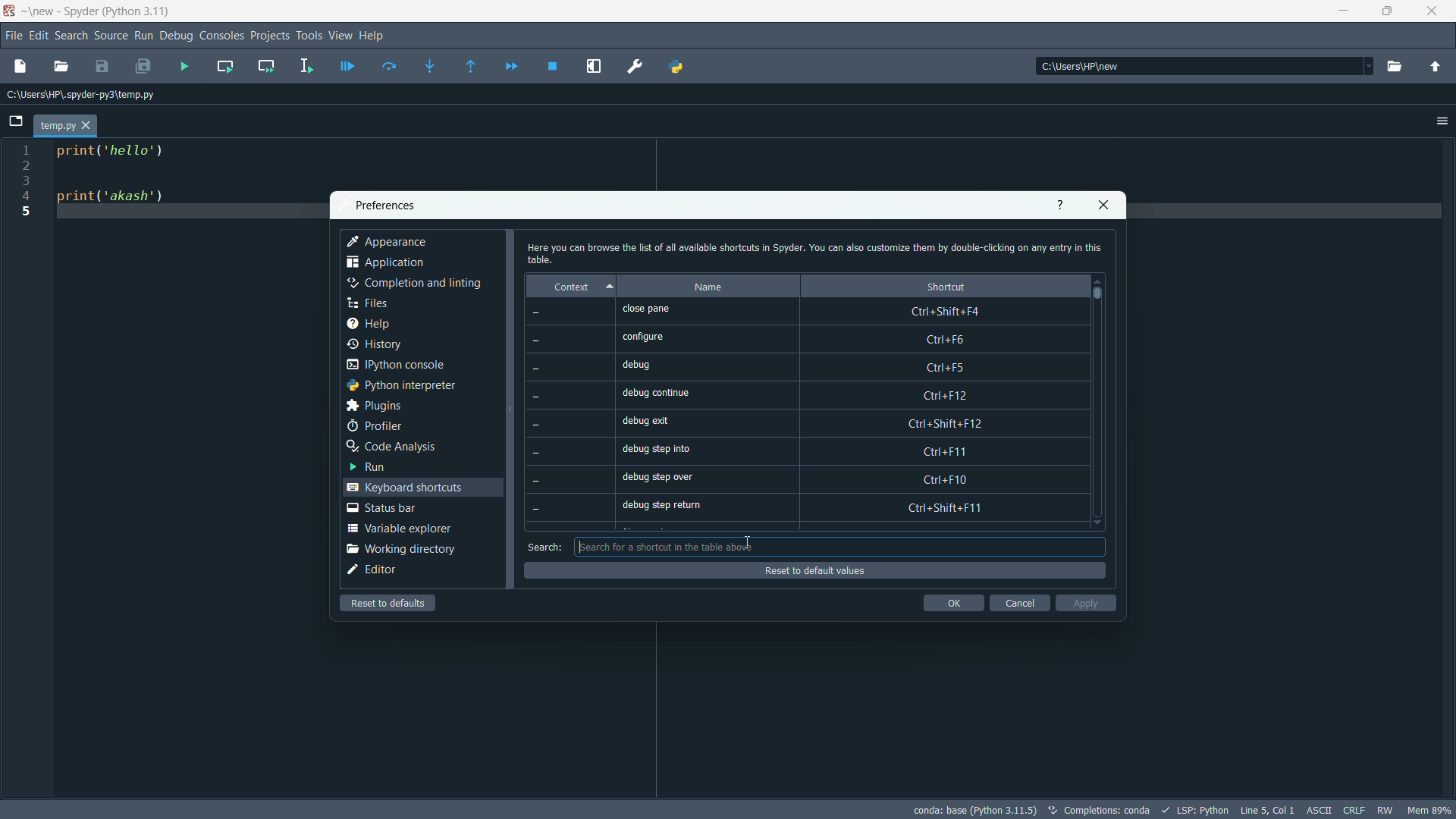 The height and width of the screenshot is (819, 1456). What do you see at coordinates (1097, 811) in the screenshot?
I see `completions:conda` at bounding box center [1097, 811].